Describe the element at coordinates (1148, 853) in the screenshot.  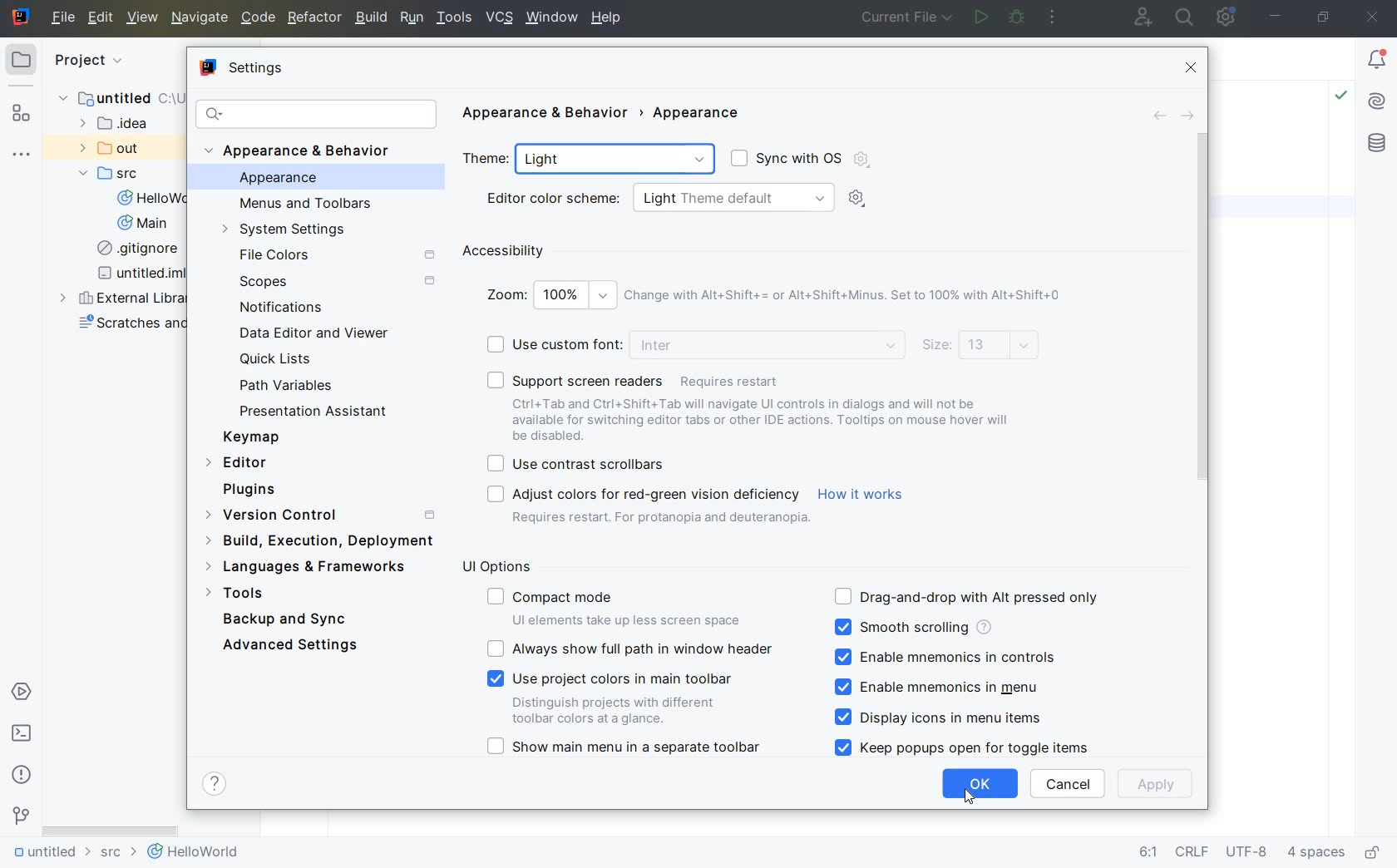
I see `go to line 6:1` at that location.